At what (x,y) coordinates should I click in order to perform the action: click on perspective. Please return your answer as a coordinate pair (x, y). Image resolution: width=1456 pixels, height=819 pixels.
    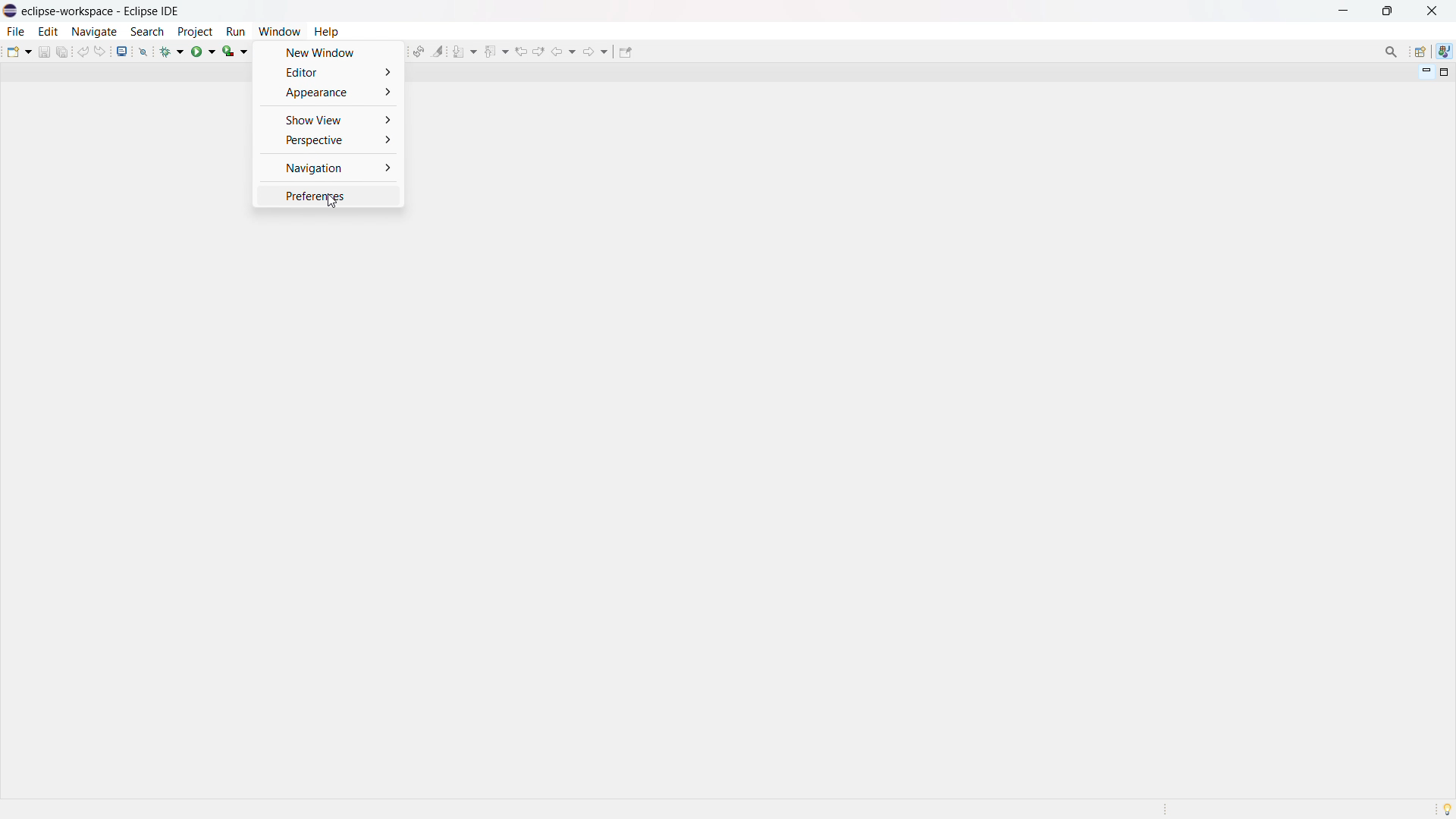
    Looking at the image, I should click on (328, 141).